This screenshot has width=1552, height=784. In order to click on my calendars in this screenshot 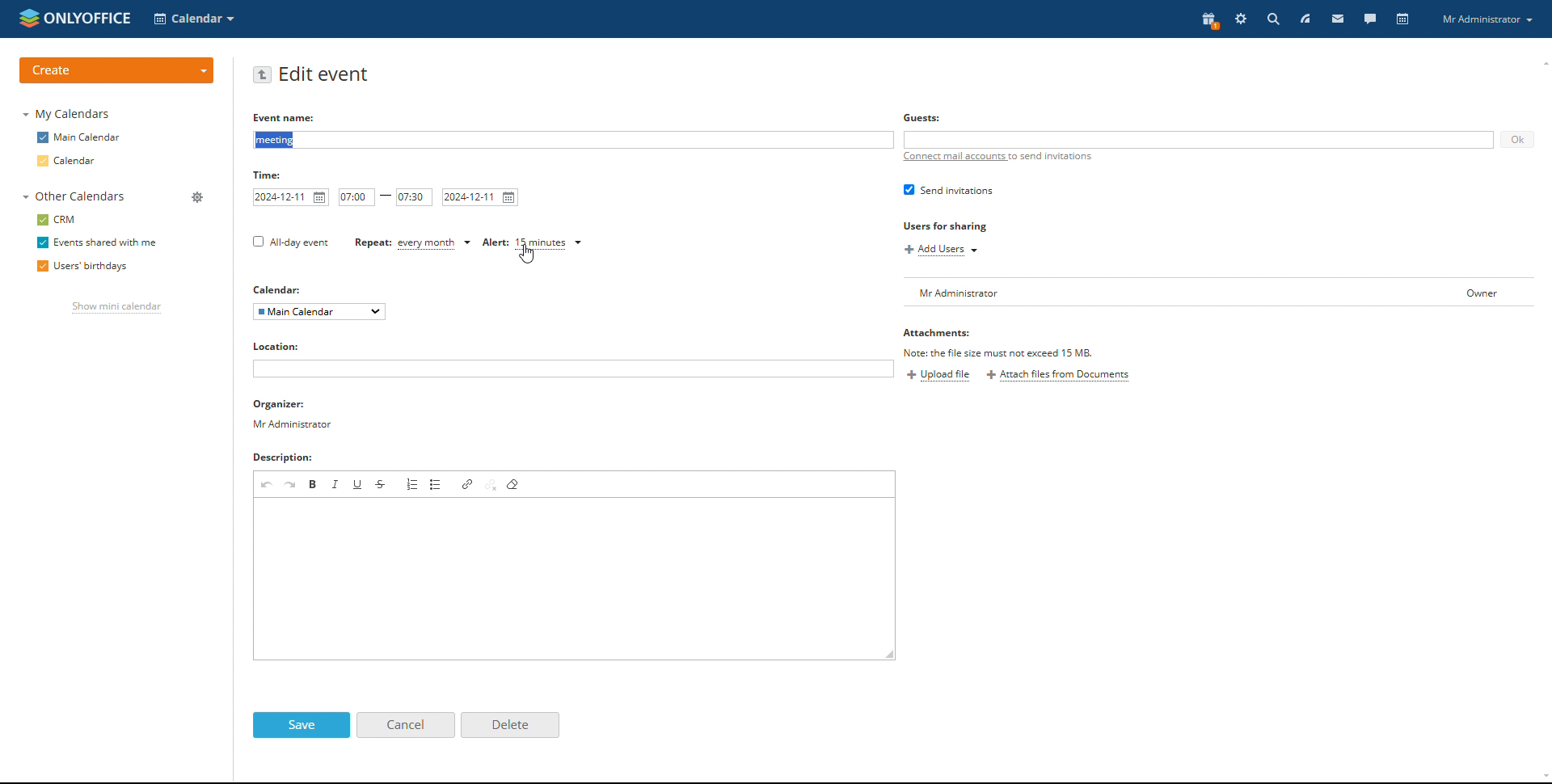, I will do `click(67, 115)`.